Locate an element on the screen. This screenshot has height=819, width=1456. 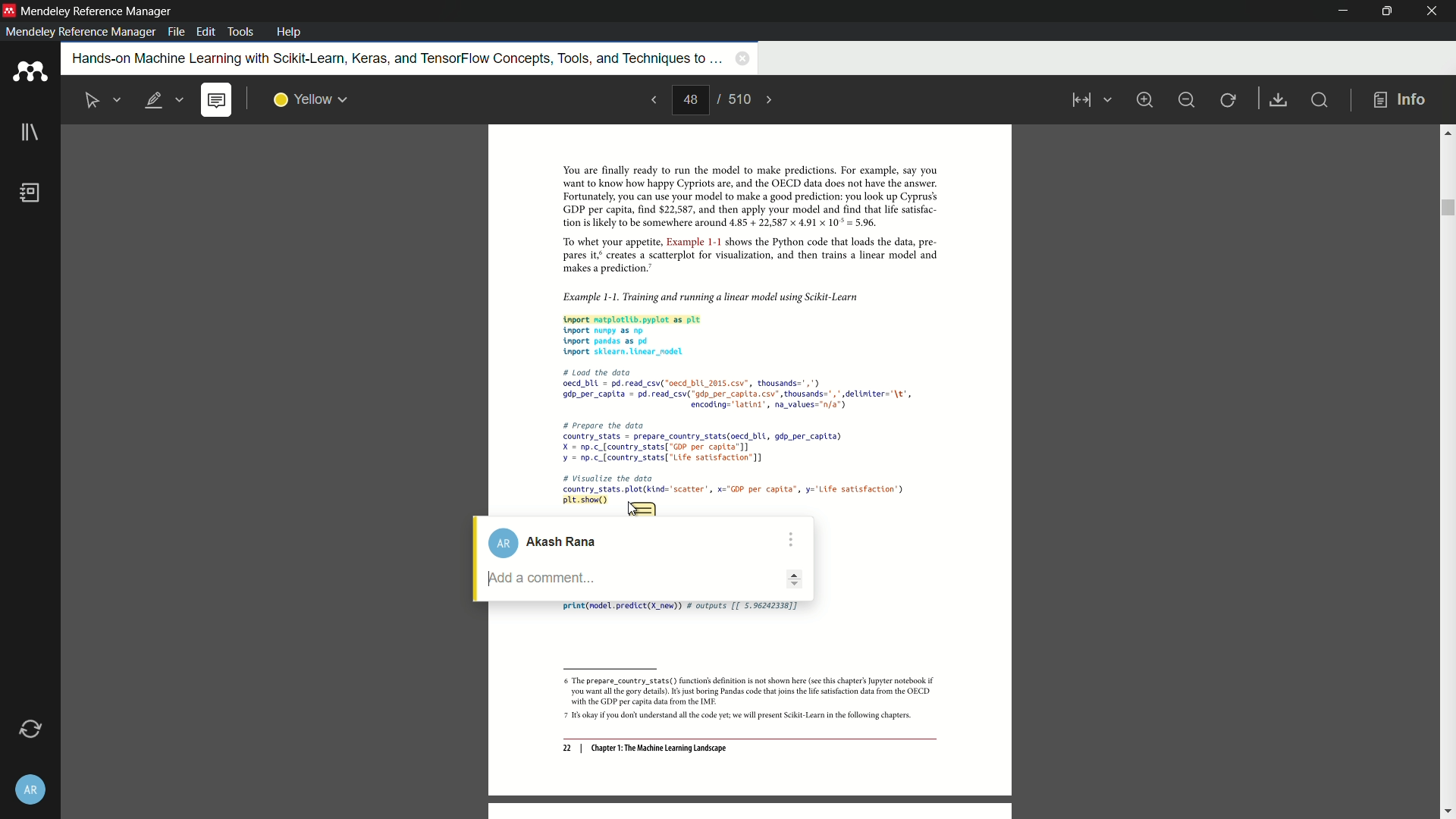
maximize is located at coordinates (1384, 11).